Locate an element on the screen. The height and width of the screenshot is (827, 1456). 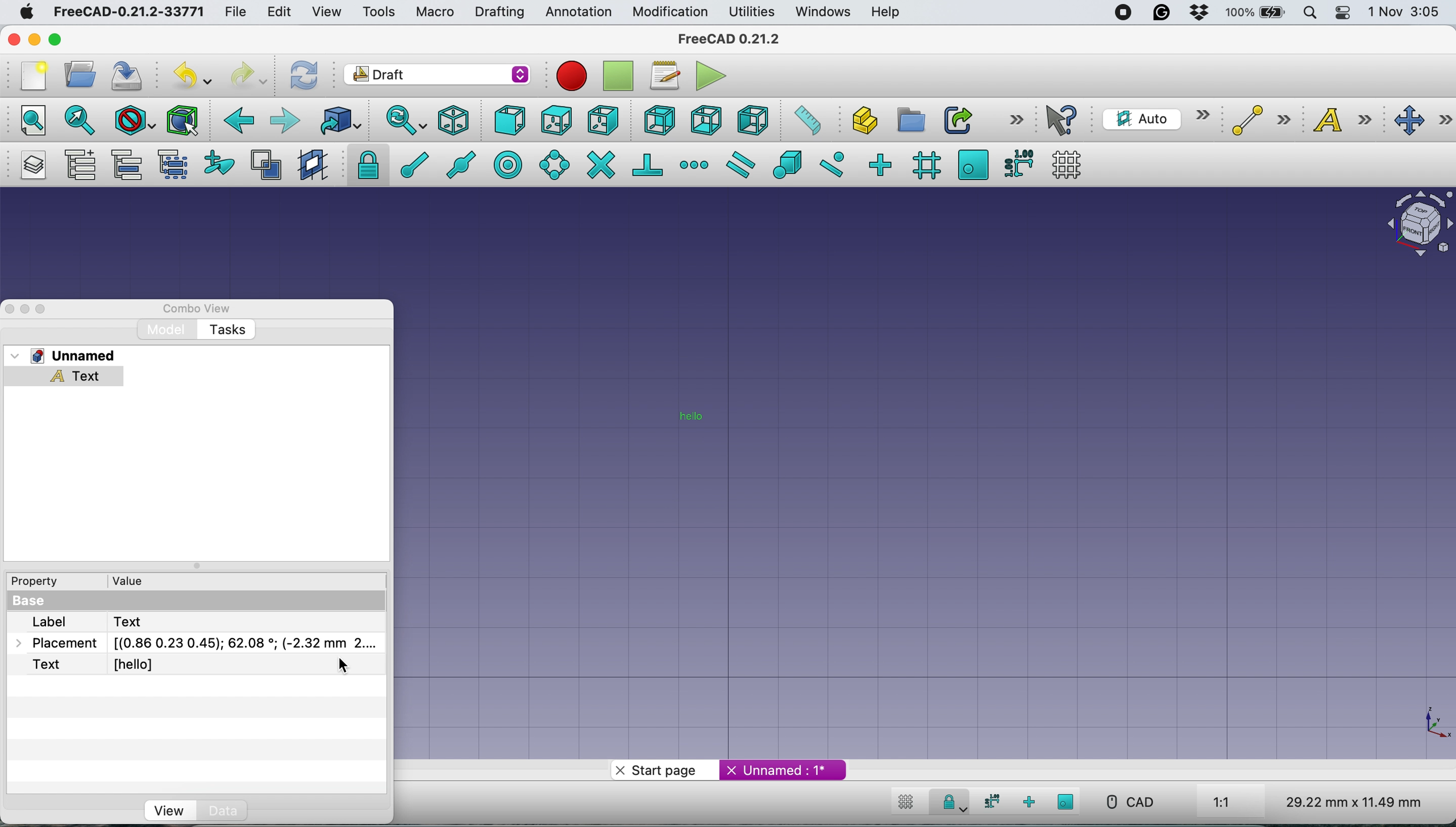
placement is located at coordinates (190, 642).